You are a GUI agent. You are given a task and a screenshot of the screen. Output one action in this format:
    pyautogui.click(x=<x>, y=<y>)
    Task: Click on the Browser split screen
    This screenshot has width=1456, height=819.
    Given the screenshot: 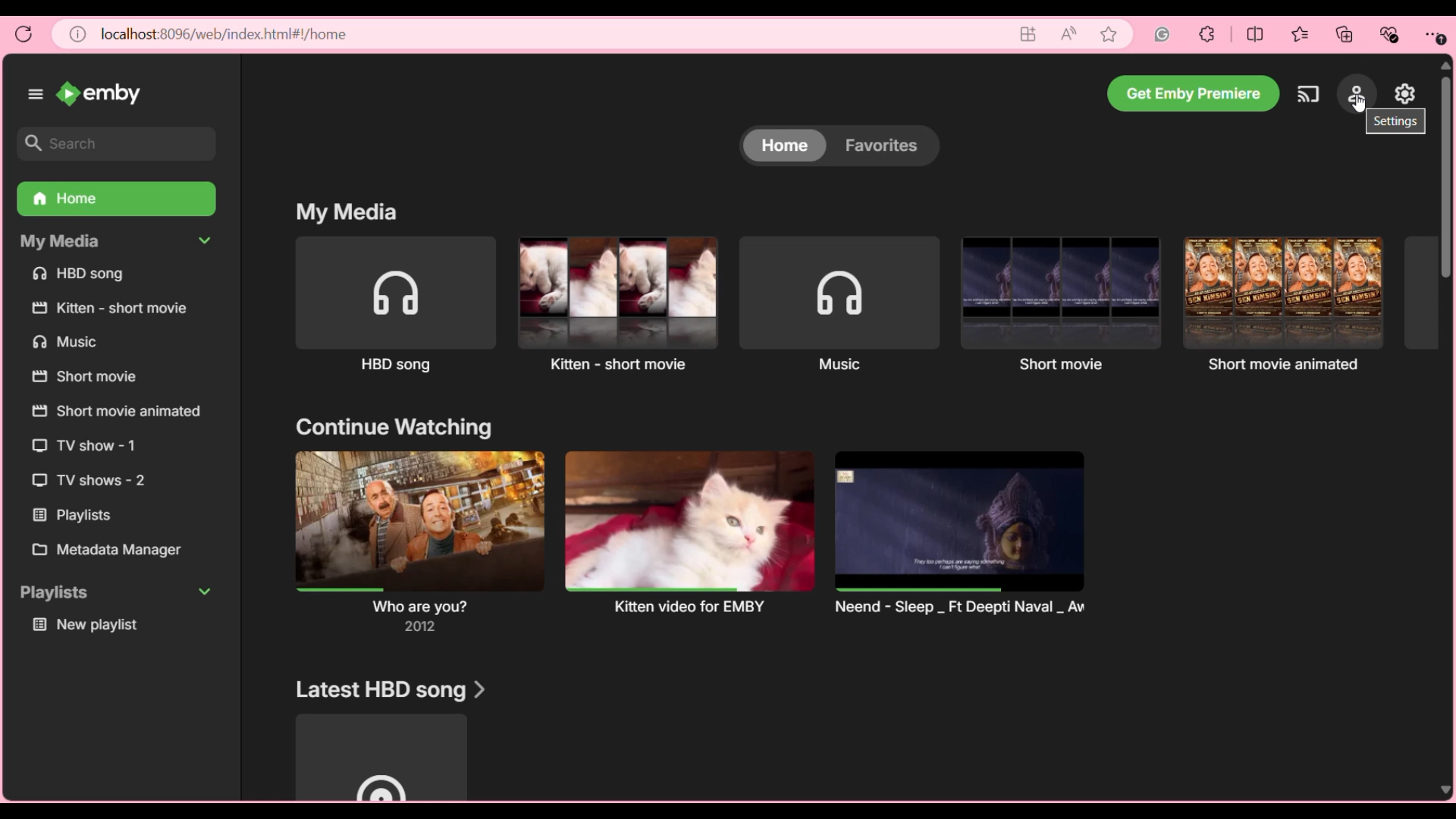 What is the action you would take?
    pyautogui.click(x=1256, y=34)
    